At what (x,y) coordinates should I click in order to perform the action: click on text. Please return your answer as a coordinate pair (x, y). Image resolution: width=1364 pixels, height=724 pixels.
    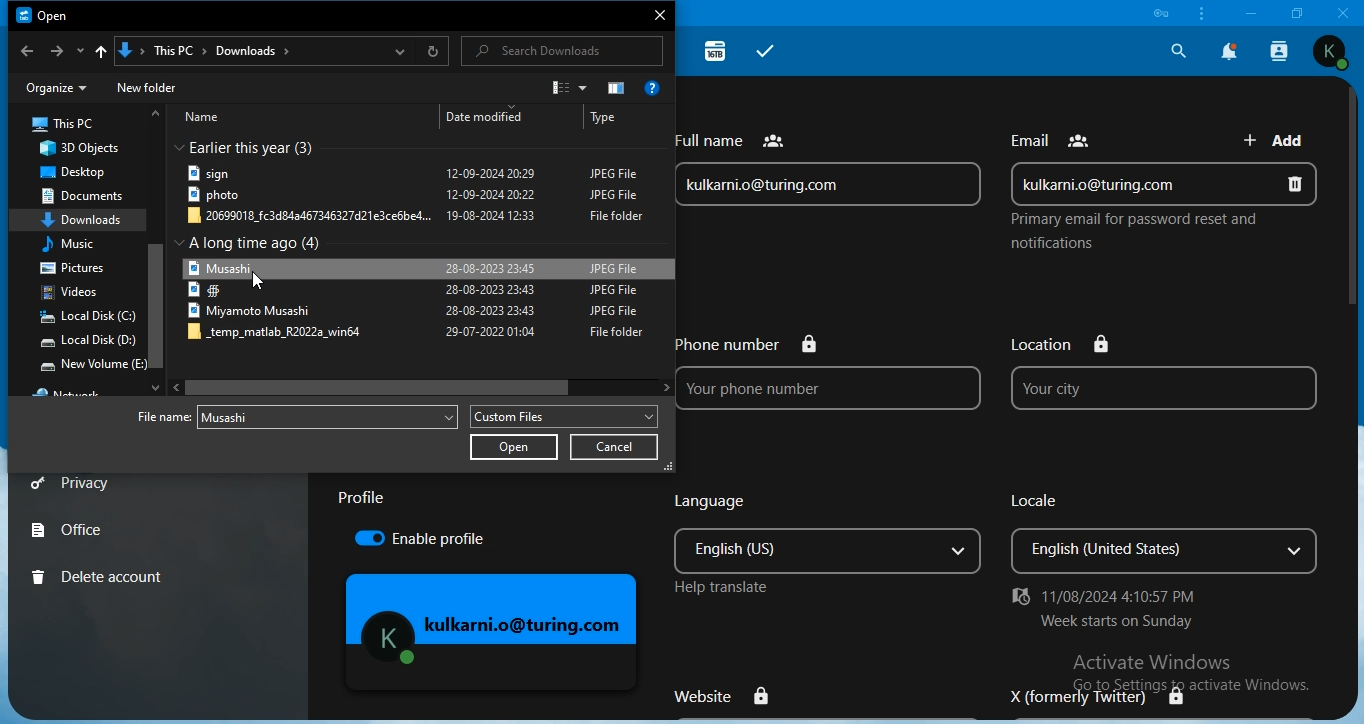
    Looking at the image, I should click on (1130, 233).